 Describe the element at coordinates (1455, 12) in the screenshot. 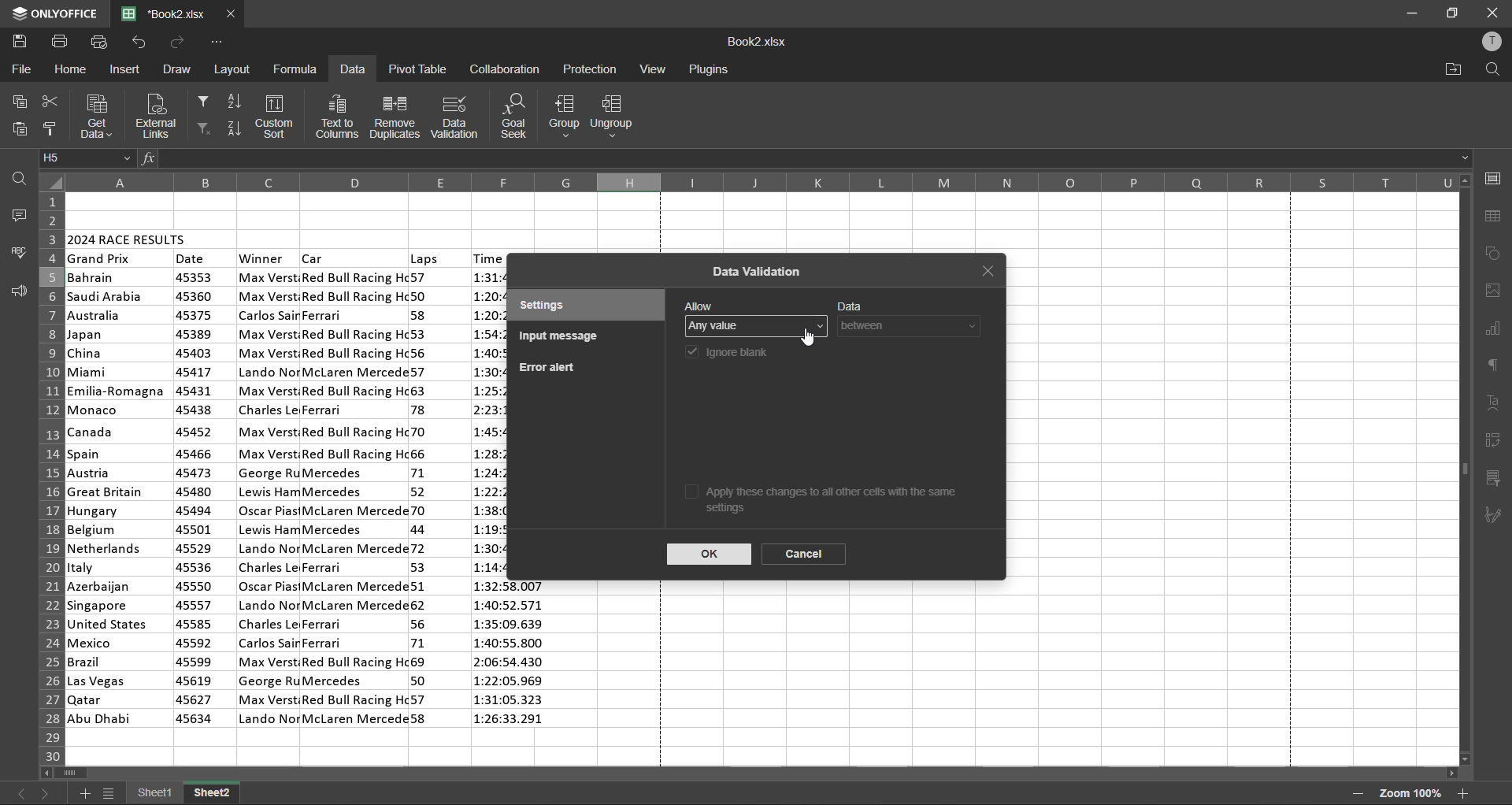

I see `maximize` at that location.